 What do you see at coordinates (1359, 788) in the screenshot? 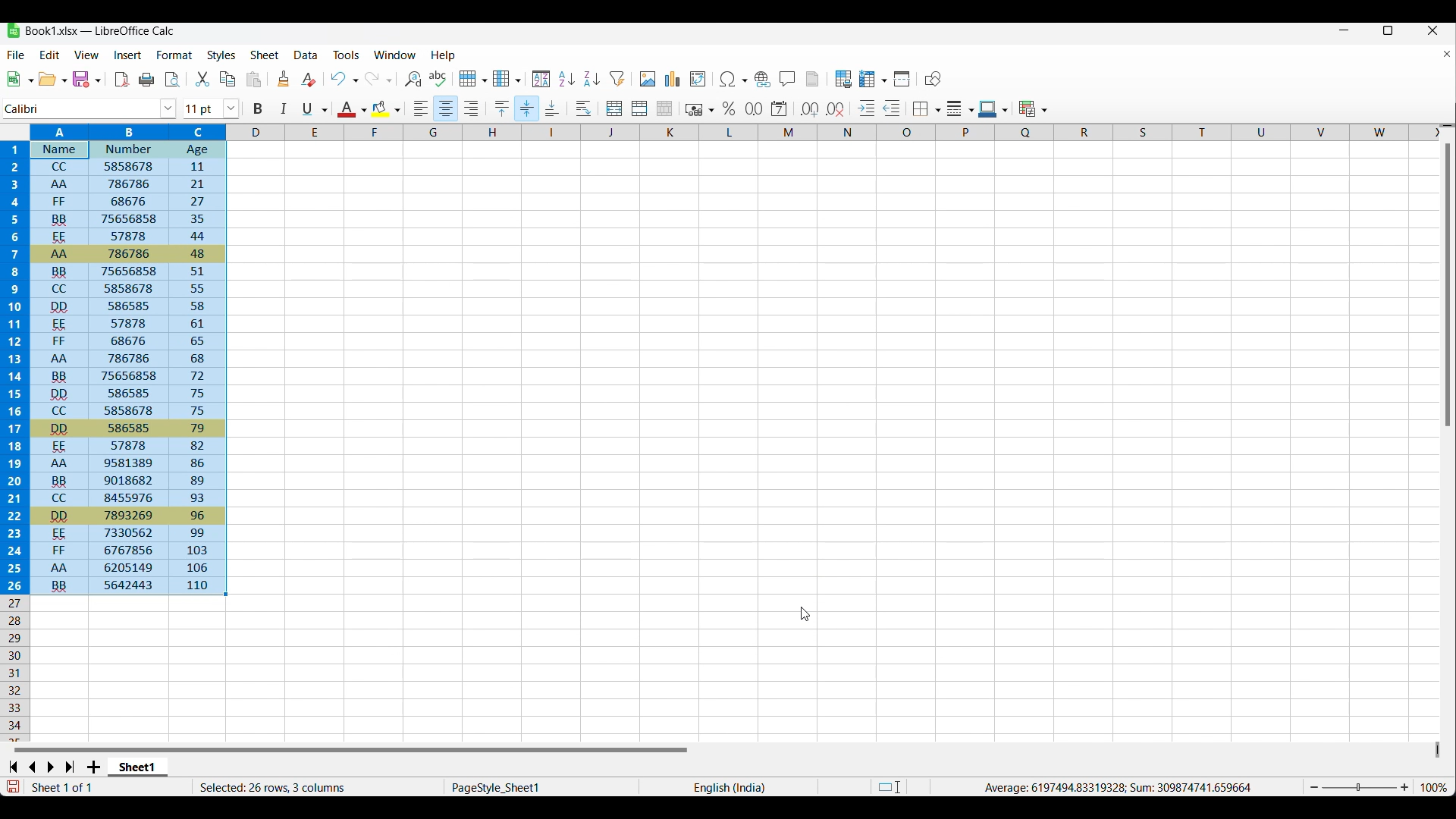
I see `Slider to change zoom` at bounding box center [1359, 788].